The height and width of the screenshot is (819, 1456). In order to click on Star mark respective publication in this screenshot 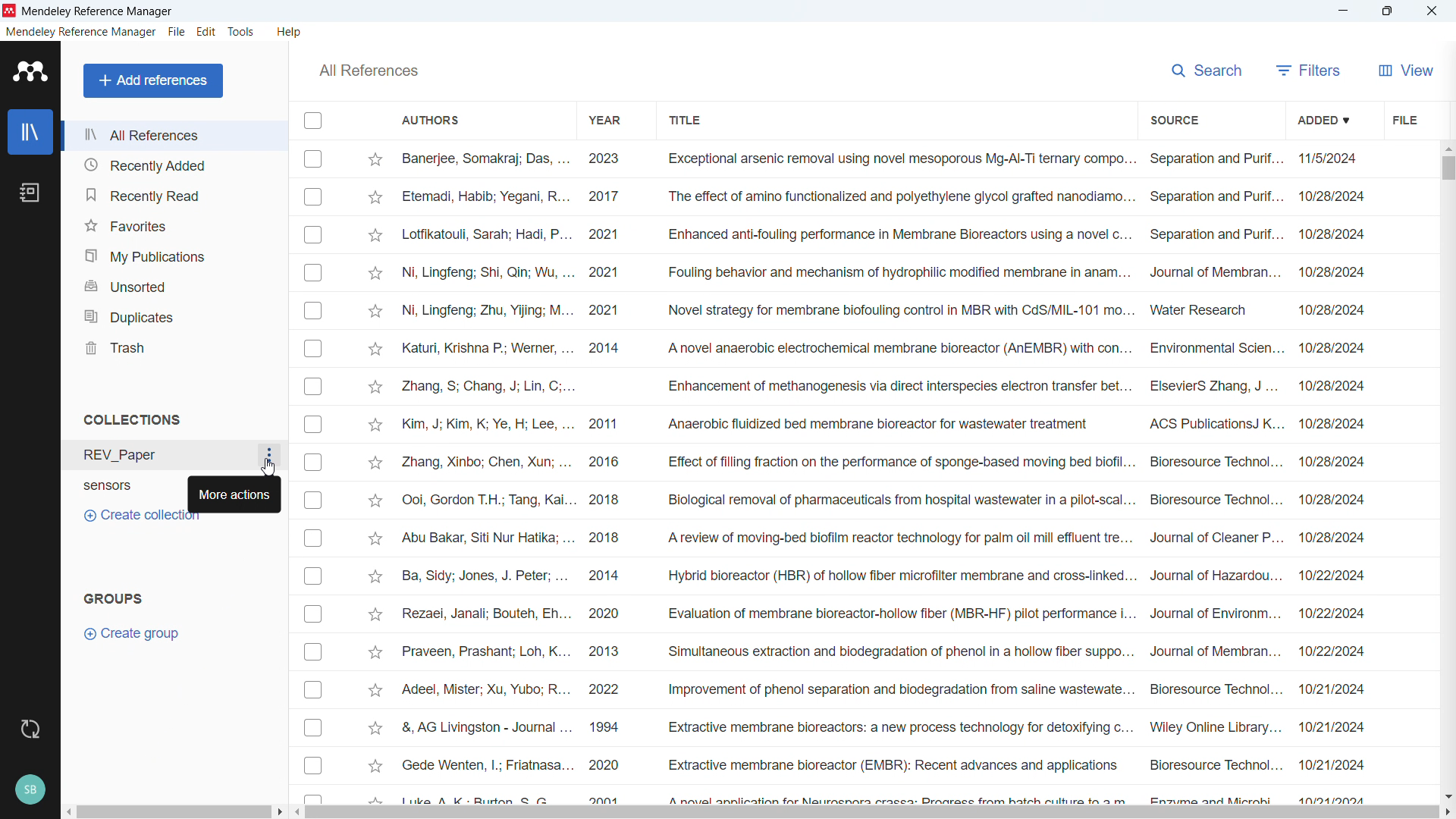, I will do `click(376, 312)`.